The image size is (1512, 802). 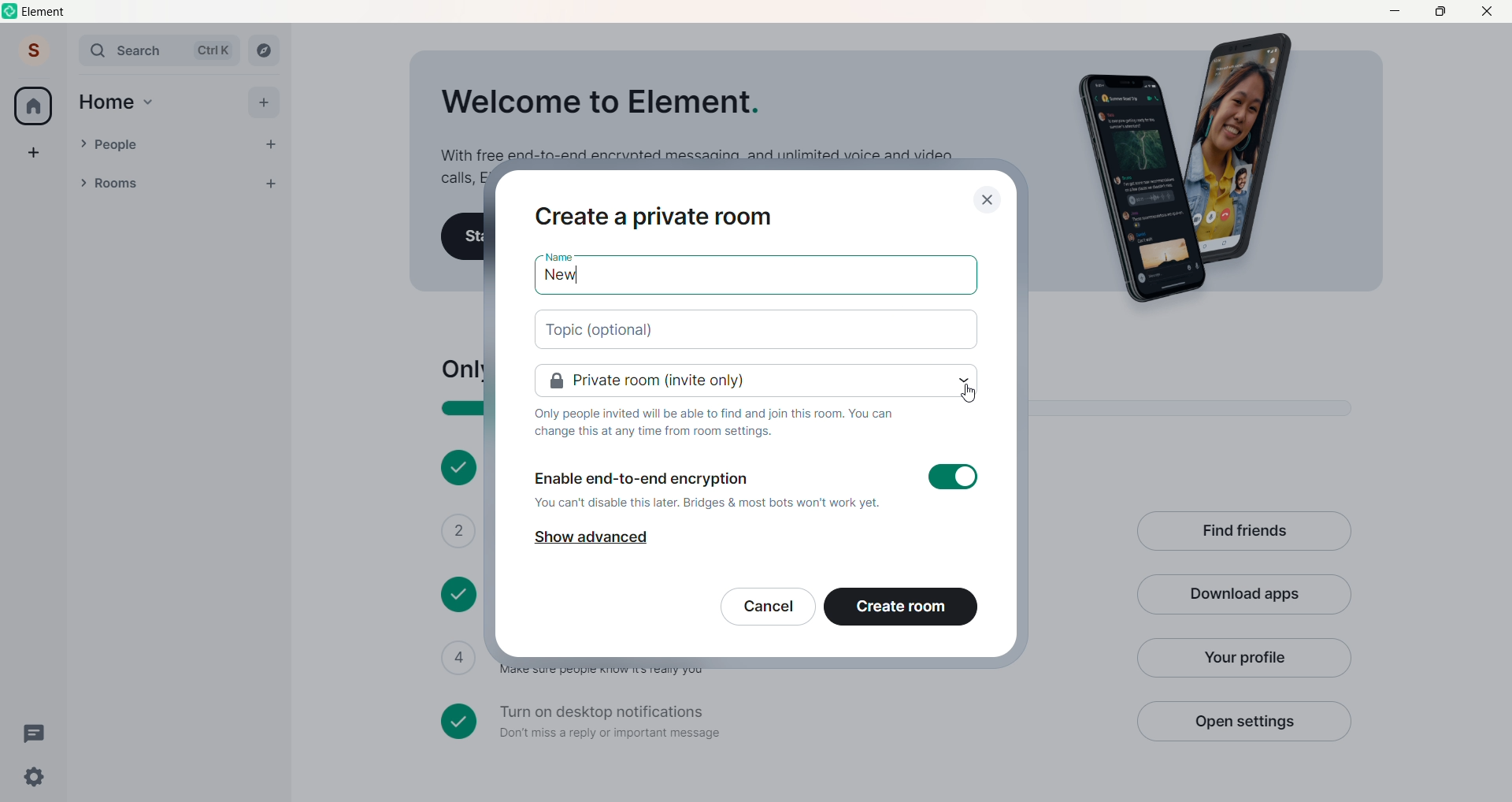 What do you see at coordinates (11, 11) in the screenshot?
I see `Logo` at bounding box center [11, 11].